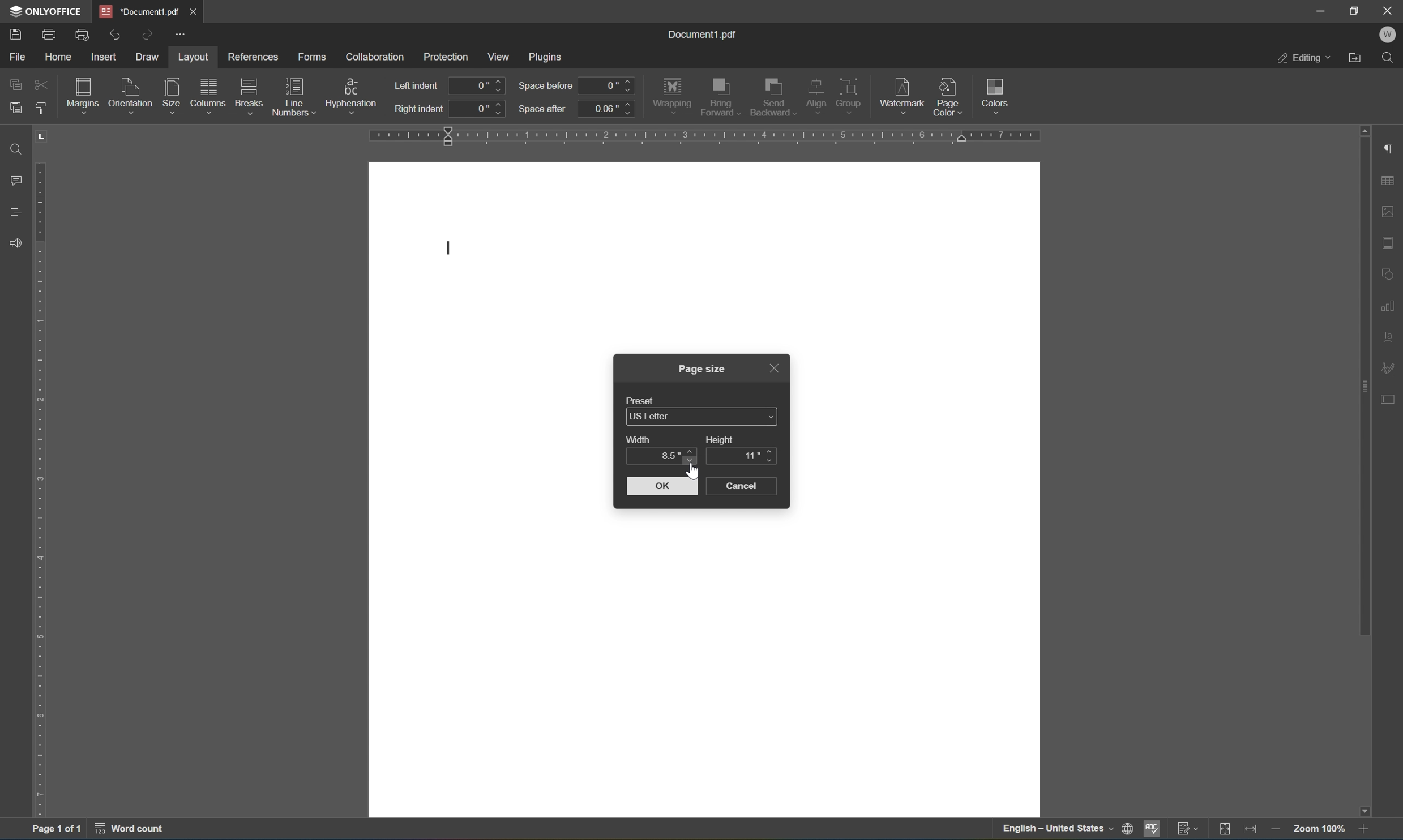 The image size is (1403, 840). I want to click on minimize, so click(1323, 11).